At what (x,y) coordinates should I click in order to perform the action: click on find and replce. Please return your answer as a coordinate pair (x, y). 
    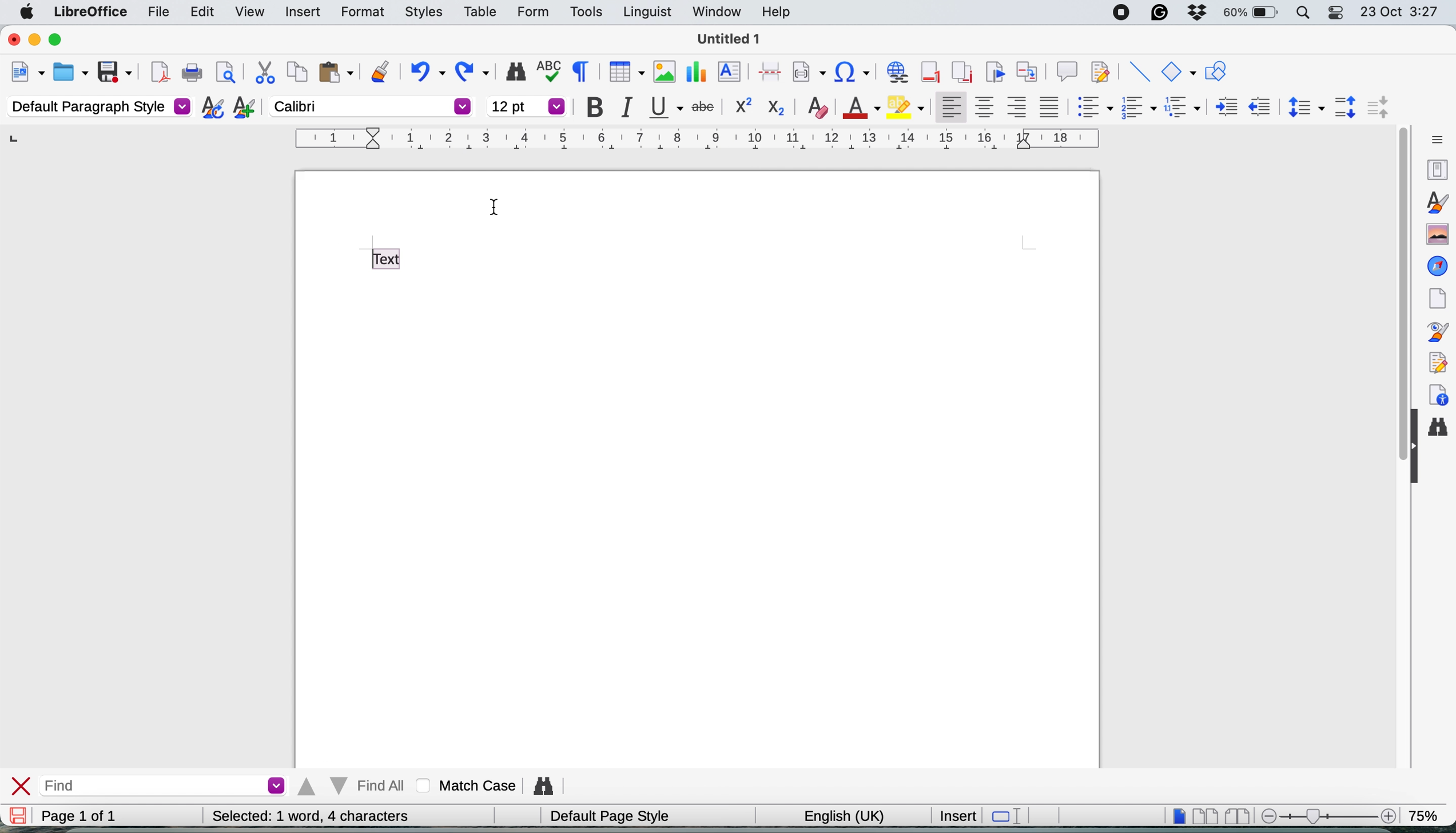
    Looking at the image, I should click on (541, 786).